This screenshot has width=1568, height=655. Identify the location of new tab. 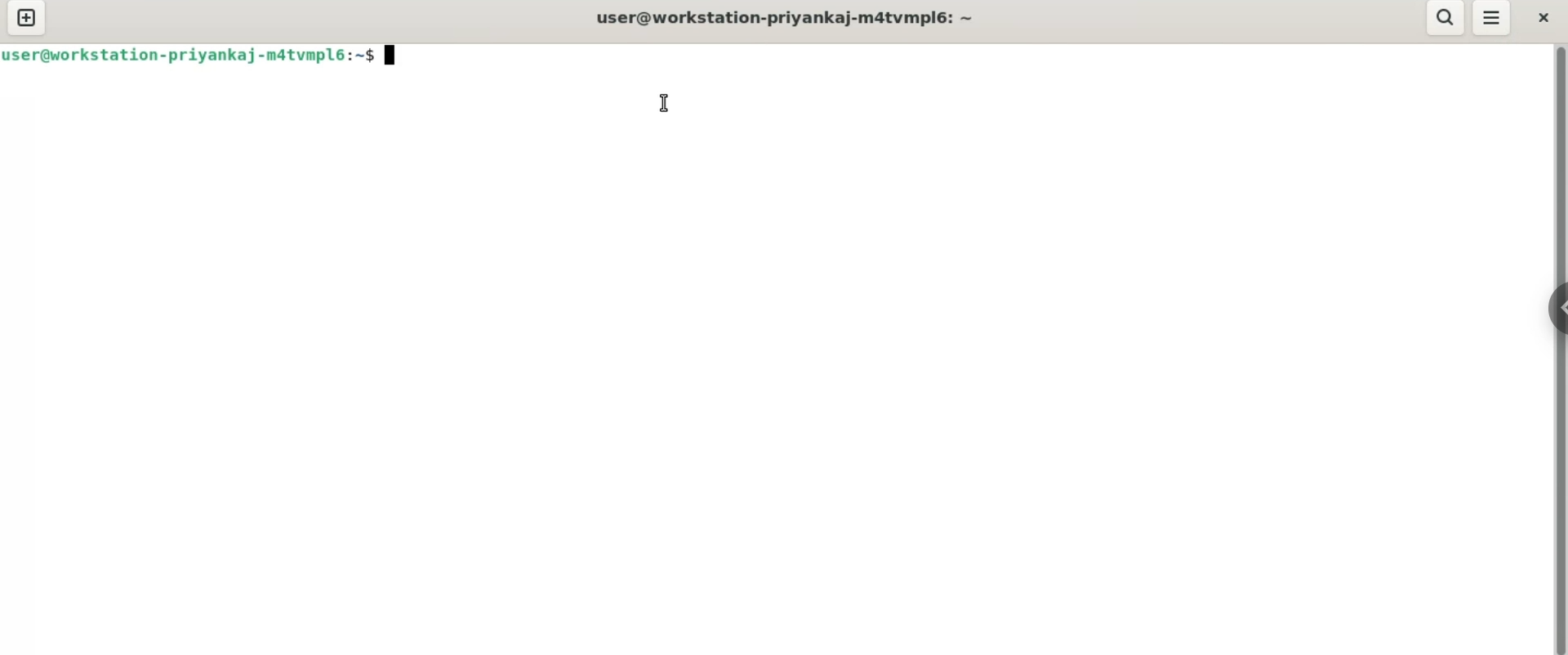
(25, 20).